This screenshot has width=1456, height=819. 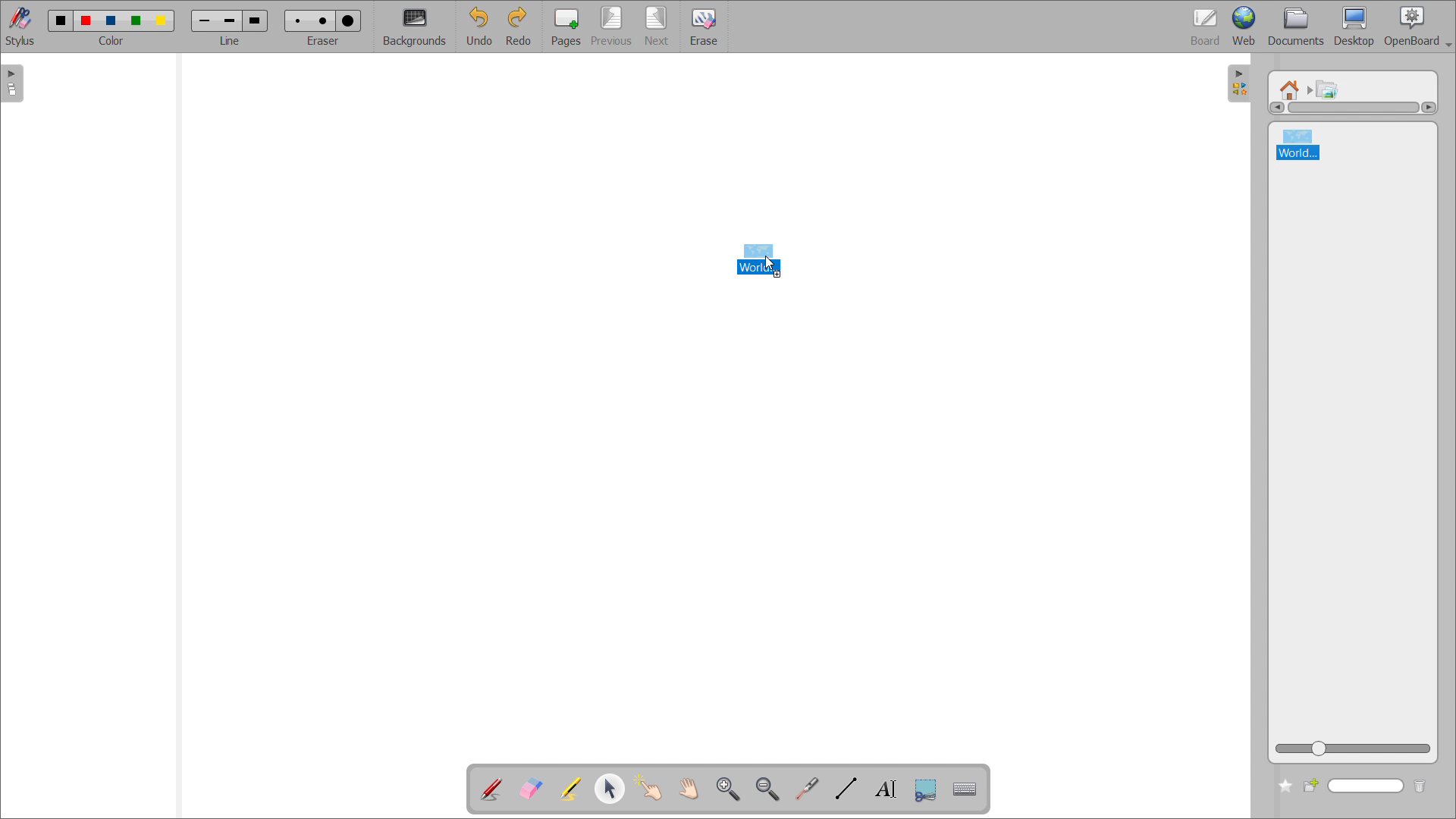 I want to click on redo, so click(x=518, y=27).